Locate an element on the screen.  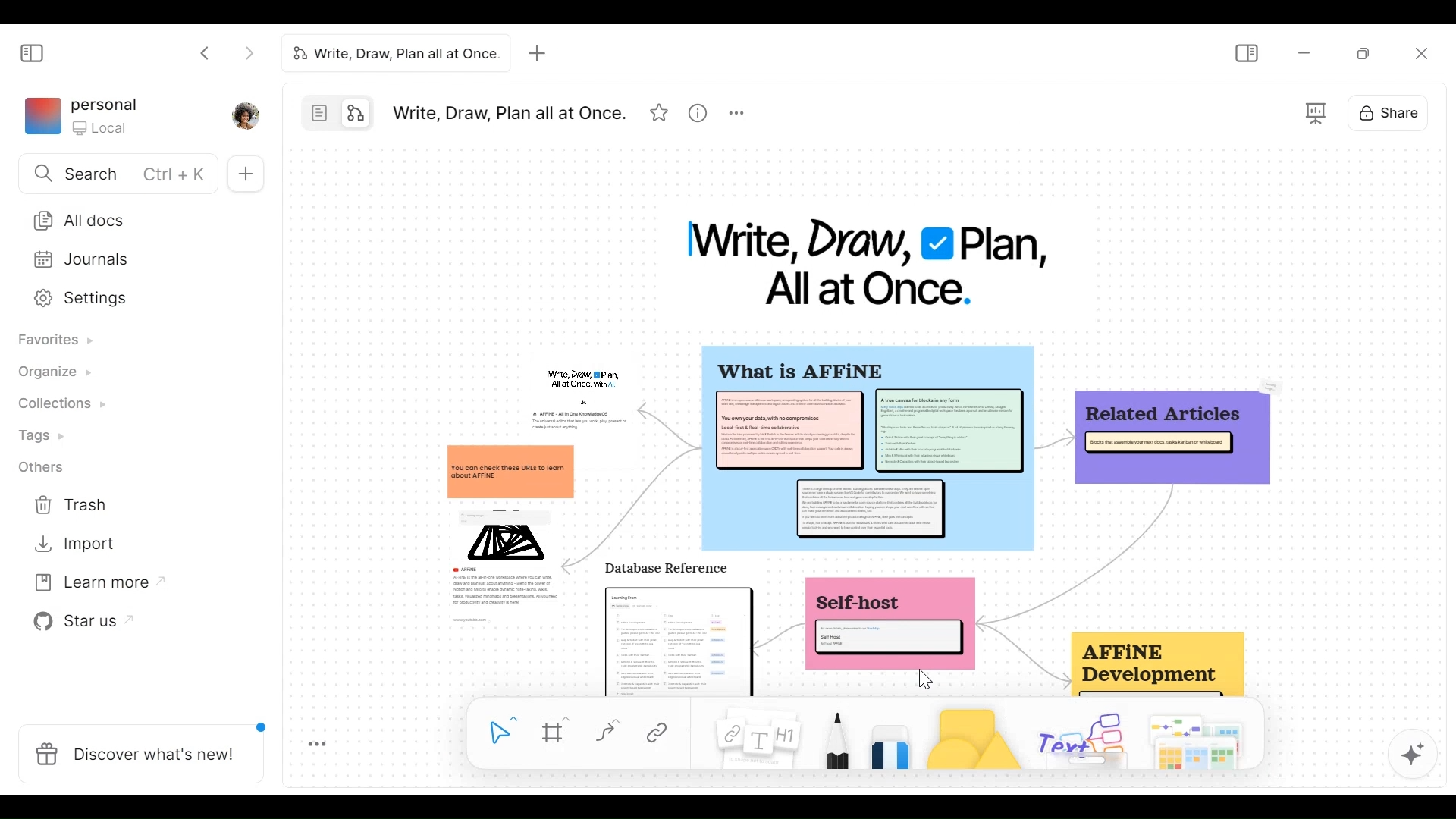
cursor is located at coordinates (924, 680).